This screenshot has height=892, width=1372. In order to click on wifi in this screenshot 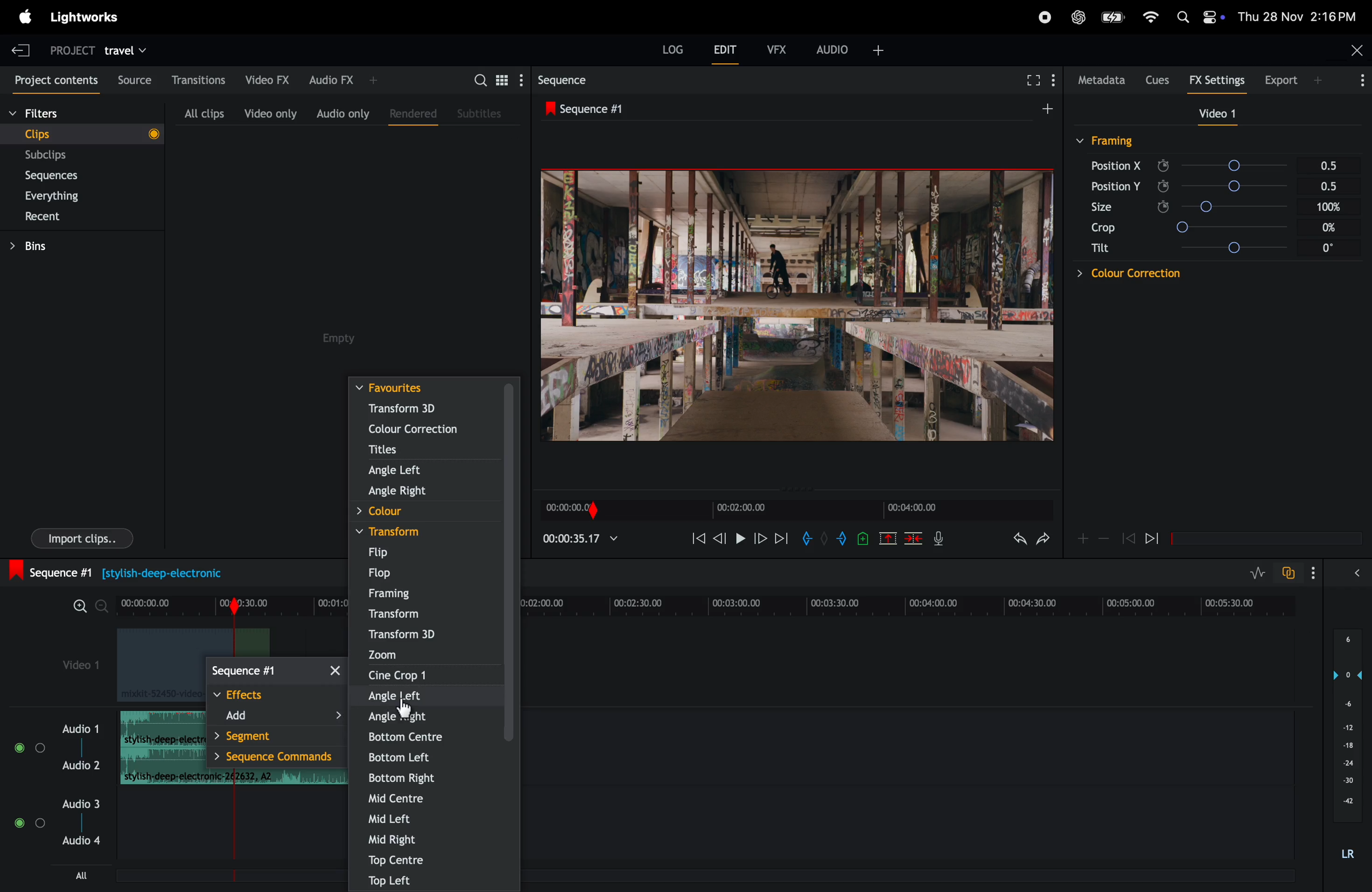, I will do `click(1148, 17)`.